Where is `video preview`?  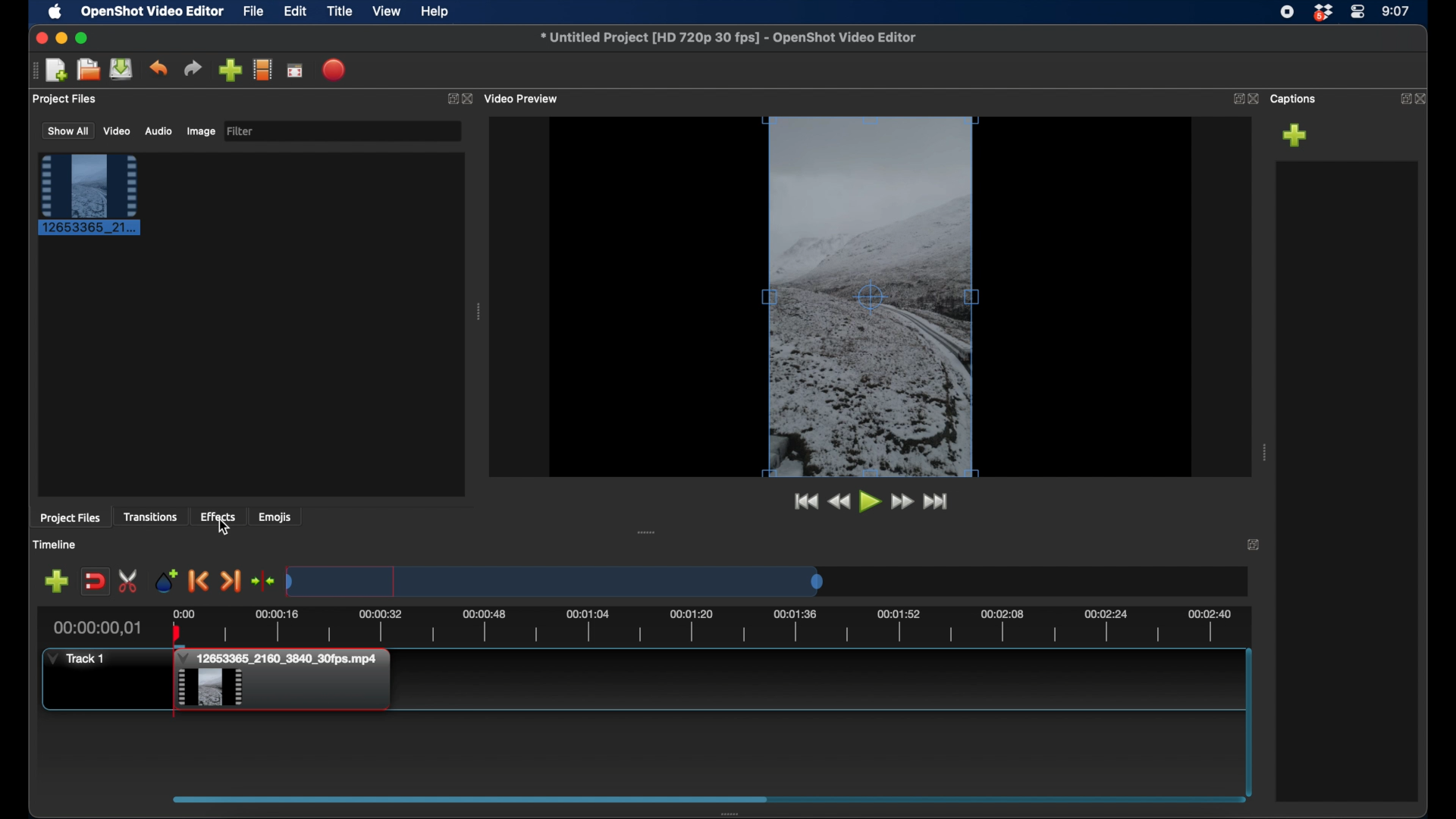 video preview is located at coordinates (869, 298).